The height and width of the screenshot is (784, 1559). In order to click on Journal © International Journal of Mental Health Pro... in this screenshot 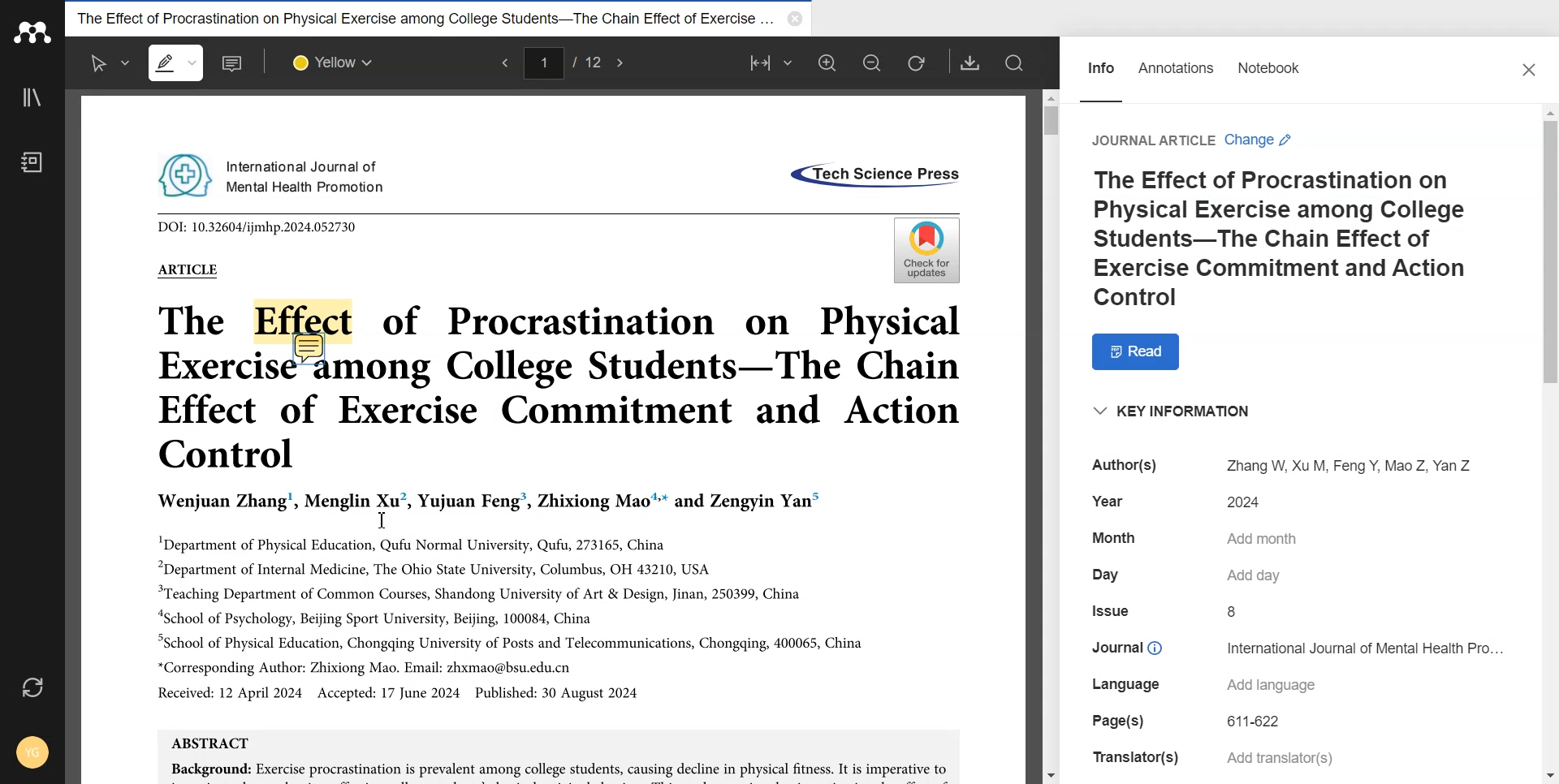, I will do `click(1299, 646)`.